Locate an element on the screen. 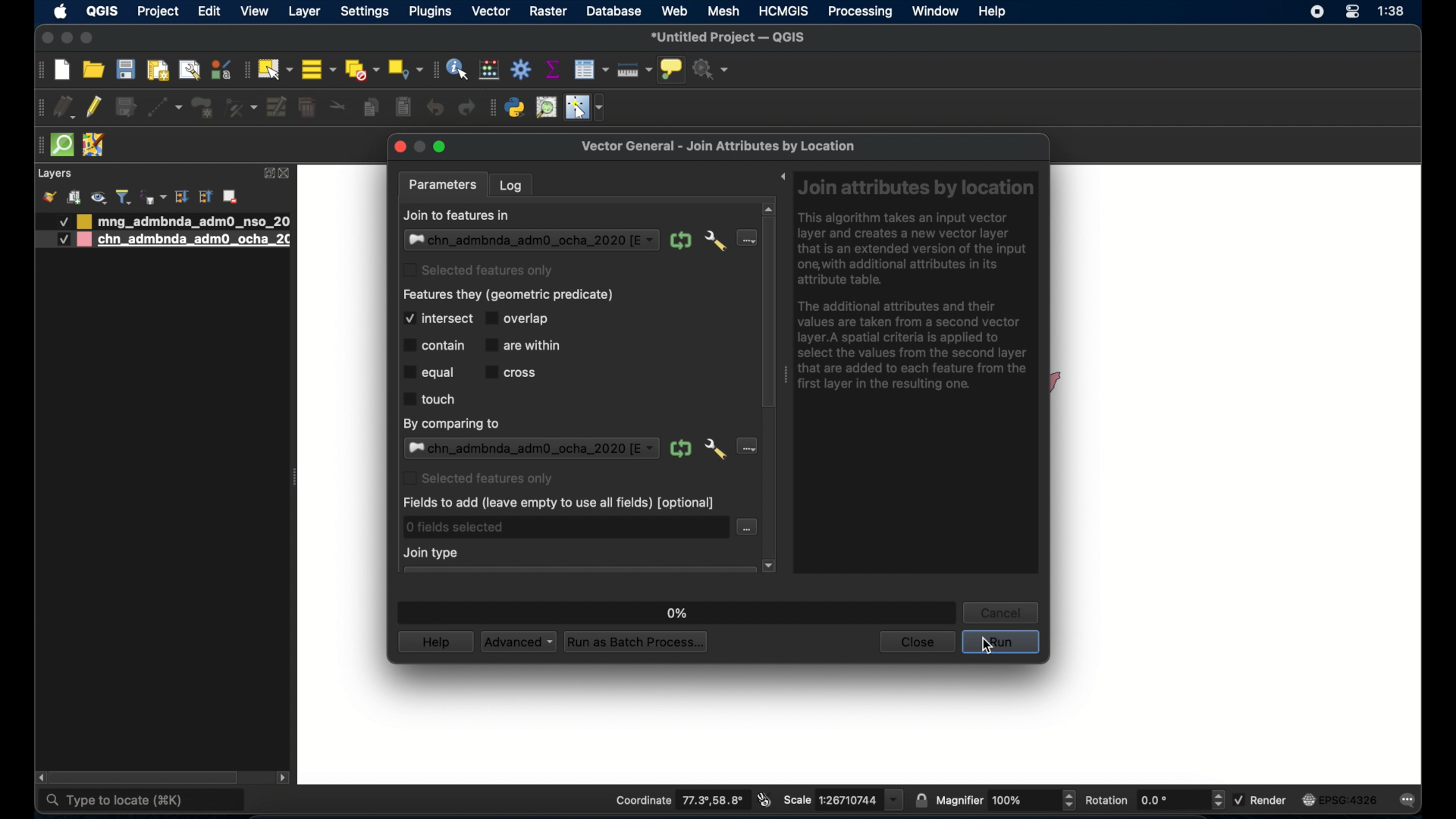  measure line is located at coordinates (633, 71).